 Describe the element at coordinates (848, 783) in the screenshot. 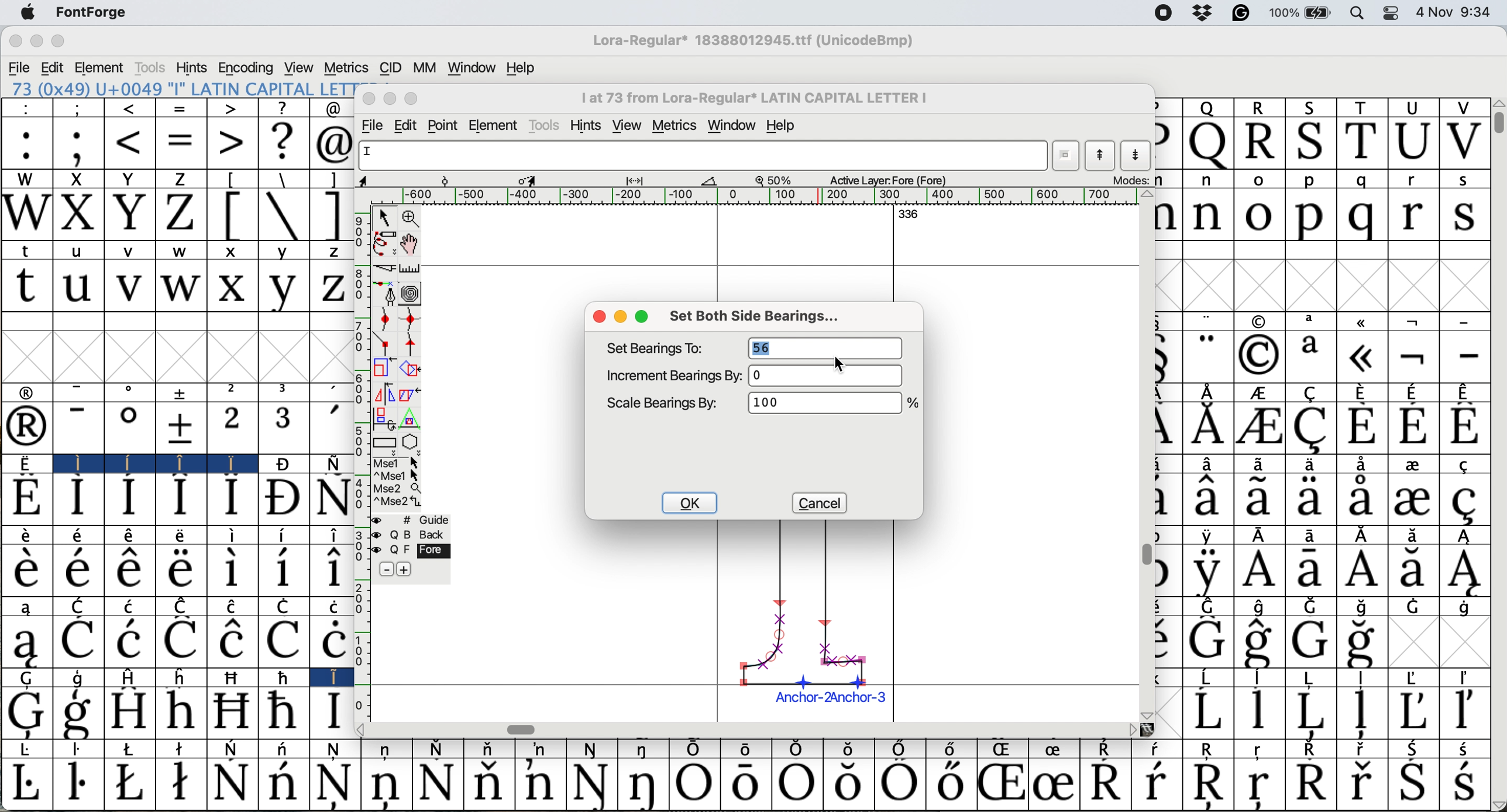

I see `Symbol` at that location.